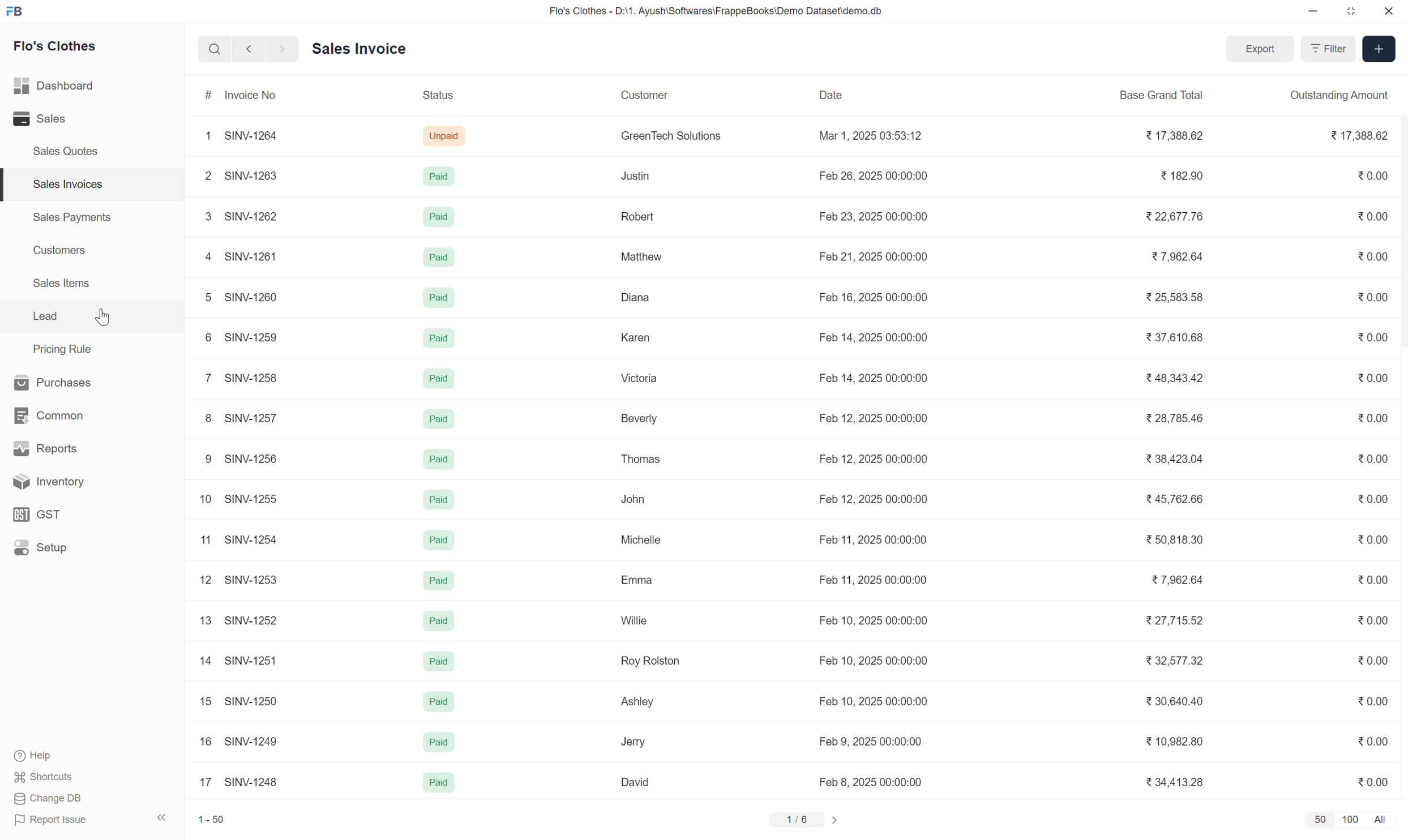  I want to click on Unpaid, so click(446, 136).